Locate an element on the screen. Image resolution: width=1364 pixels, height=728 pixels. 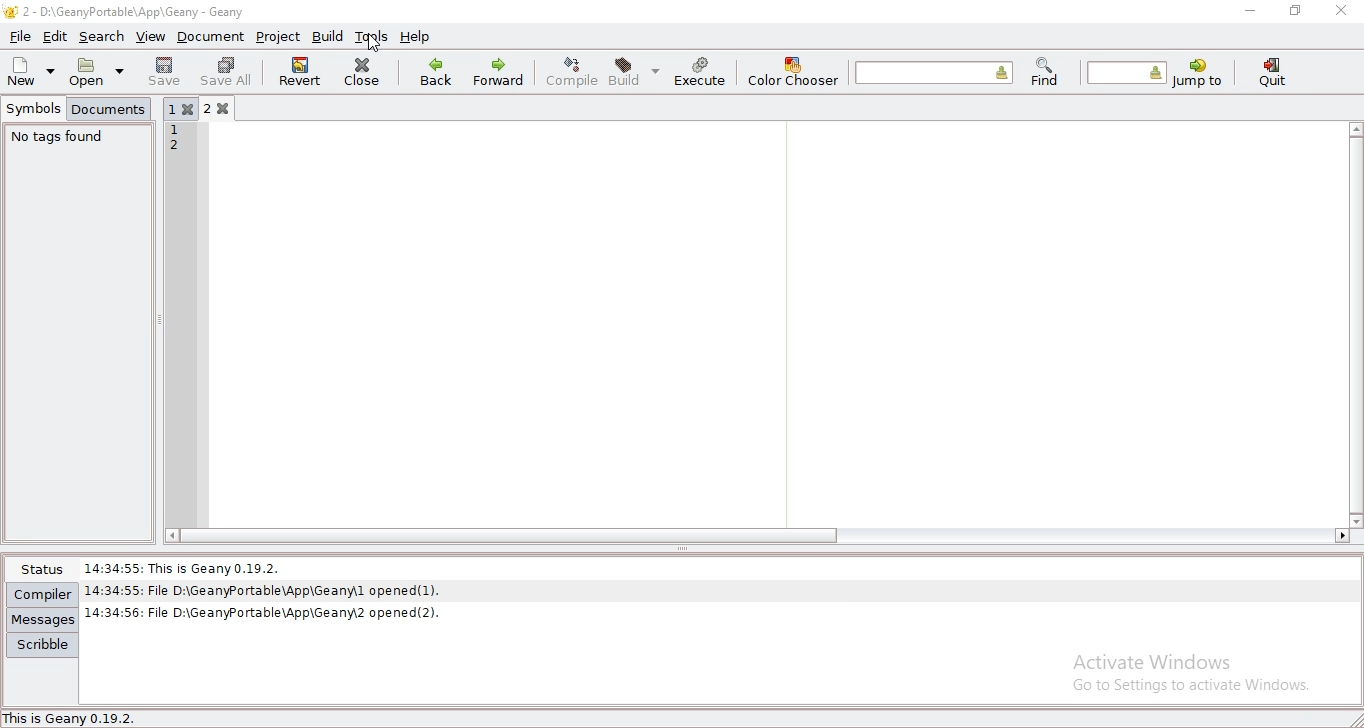
close is located at coordinates (1345, 9).